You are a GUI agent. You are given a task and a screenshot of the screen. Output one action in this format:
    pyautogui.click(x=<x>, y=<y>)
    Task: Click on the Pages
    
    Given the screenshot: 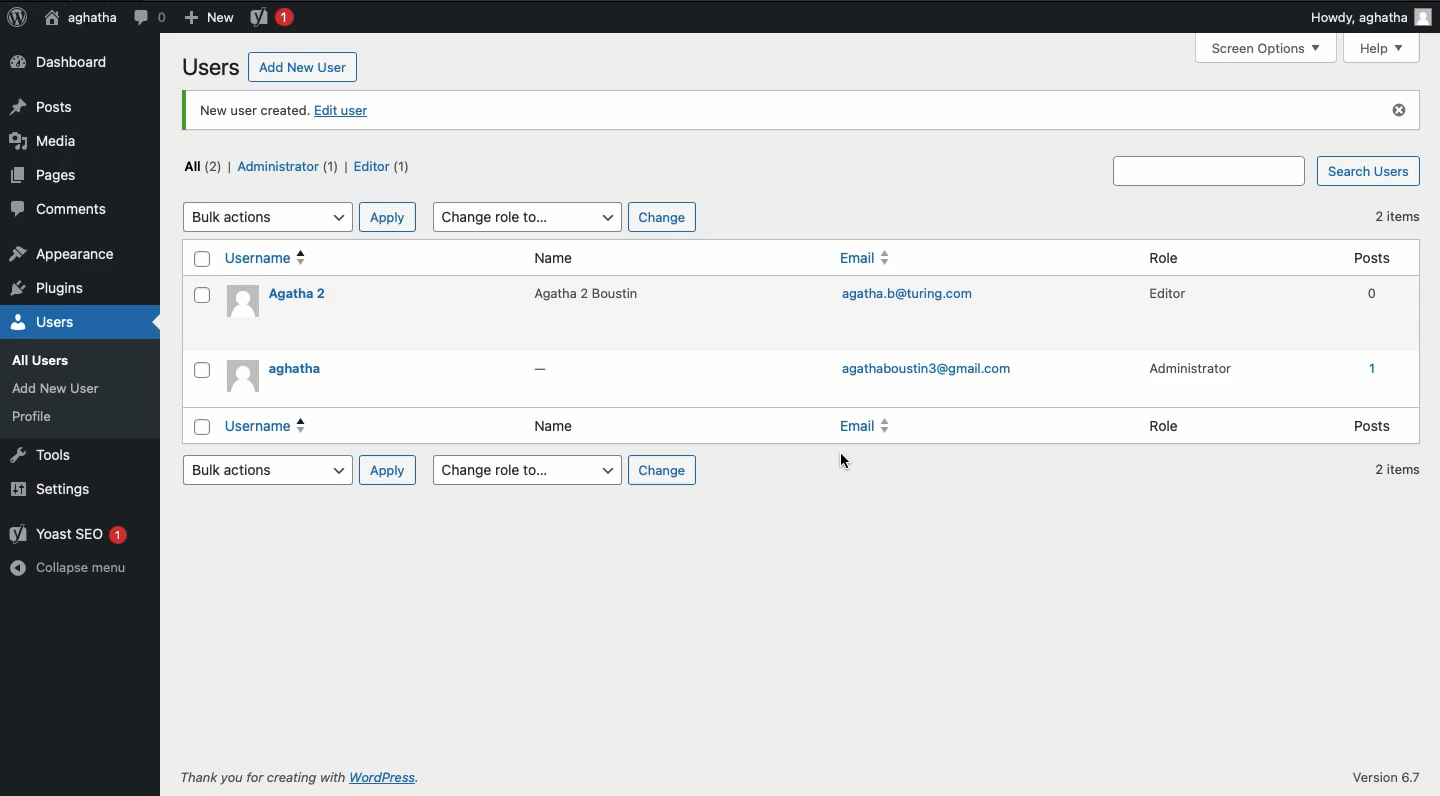 What is the action you would take?
    pyautogui.click(x=50, y=179)
    